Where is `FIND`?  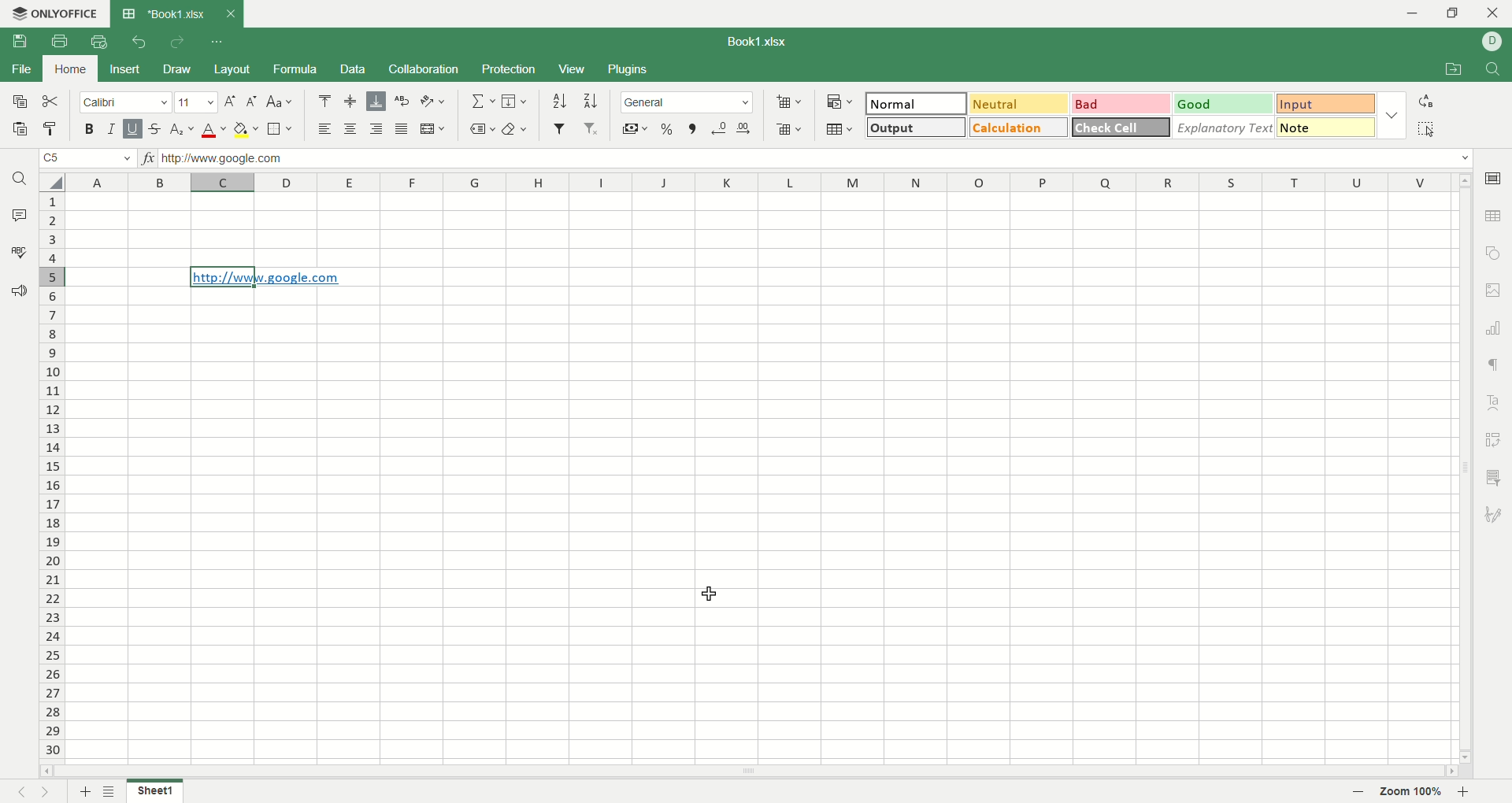
FIND is located at coordinates (1490, 70).